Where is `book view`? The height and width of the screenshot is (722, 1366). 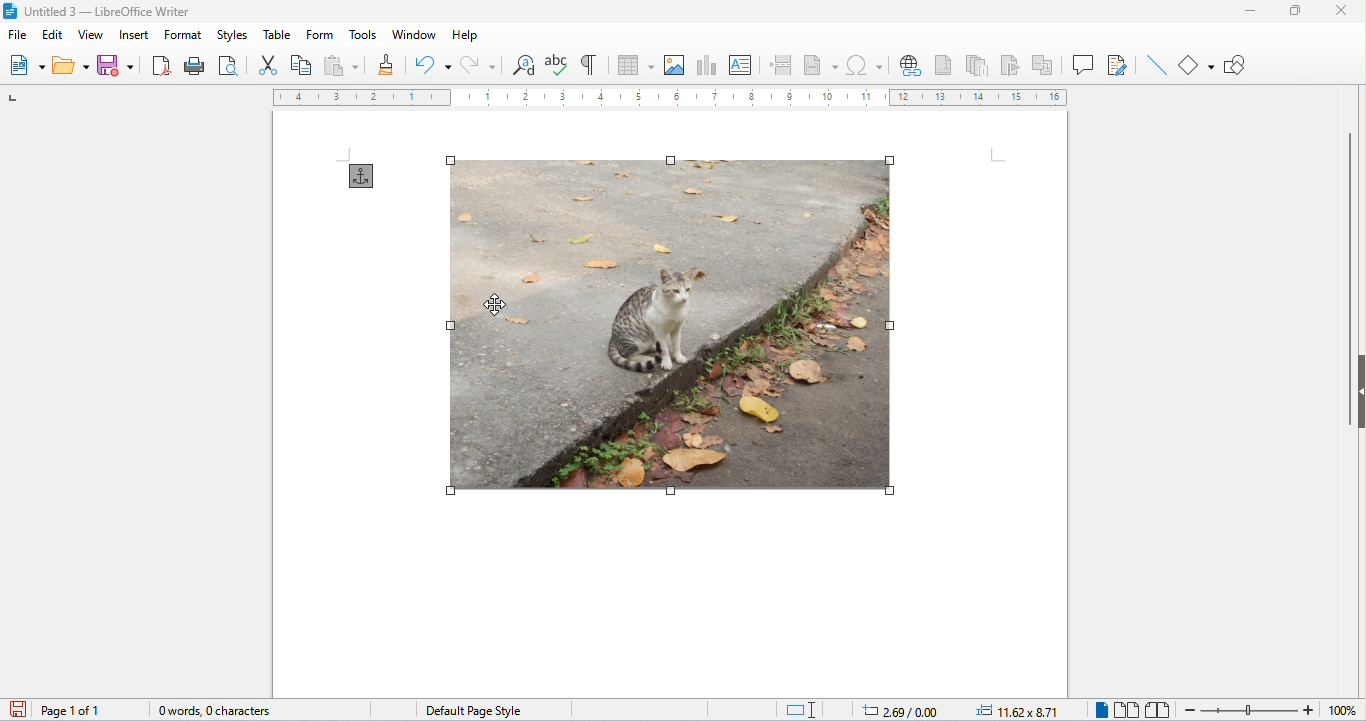
book view is located at coordinates (1157, 710).